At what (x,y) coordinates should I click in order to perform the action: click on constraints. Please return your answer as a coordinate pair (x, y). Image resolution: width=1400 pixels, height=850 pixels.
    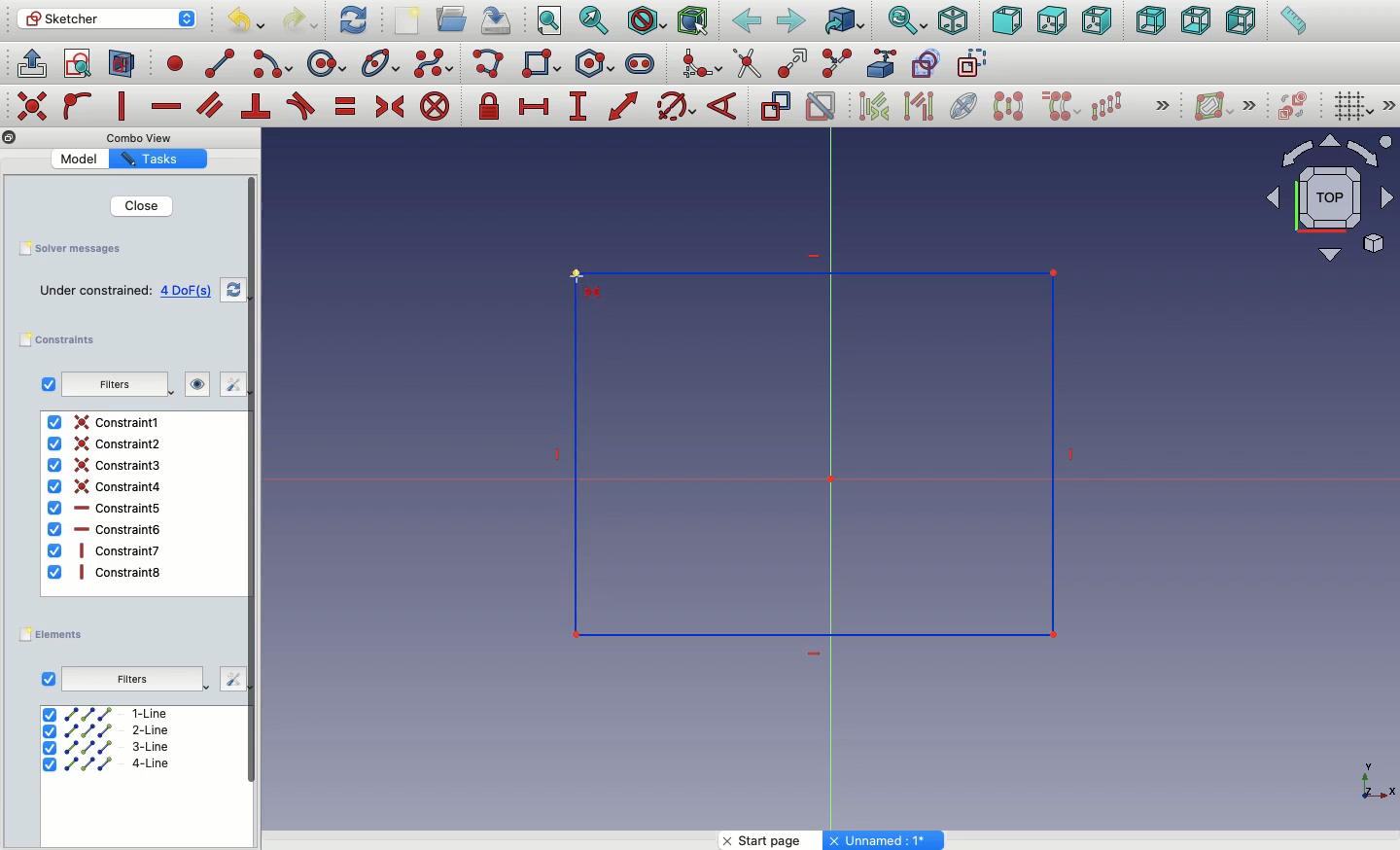
    Looking at the image, I should click on (62, 340).